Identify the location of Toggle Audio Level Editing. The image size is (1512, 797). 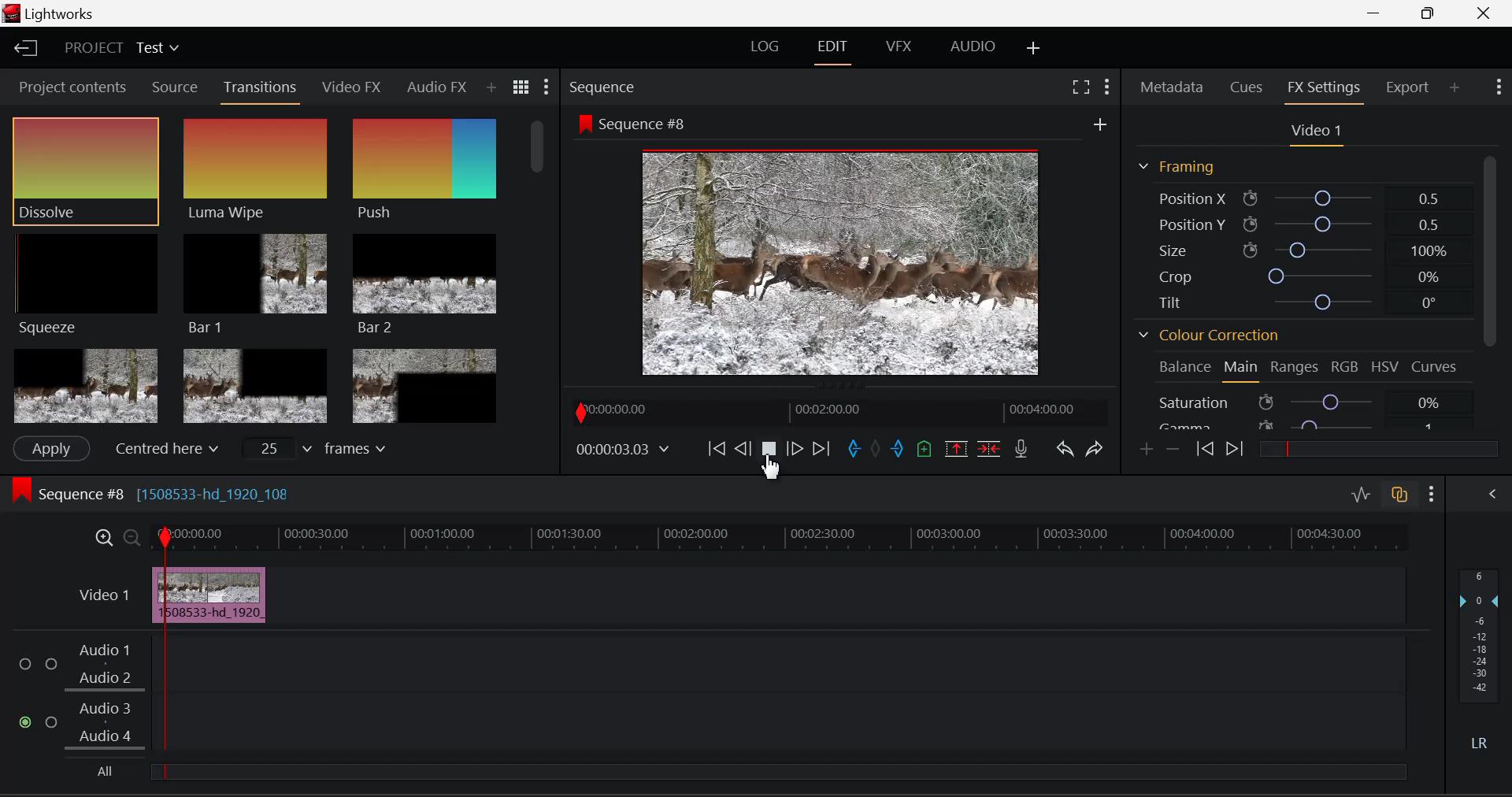
(1362, 496).